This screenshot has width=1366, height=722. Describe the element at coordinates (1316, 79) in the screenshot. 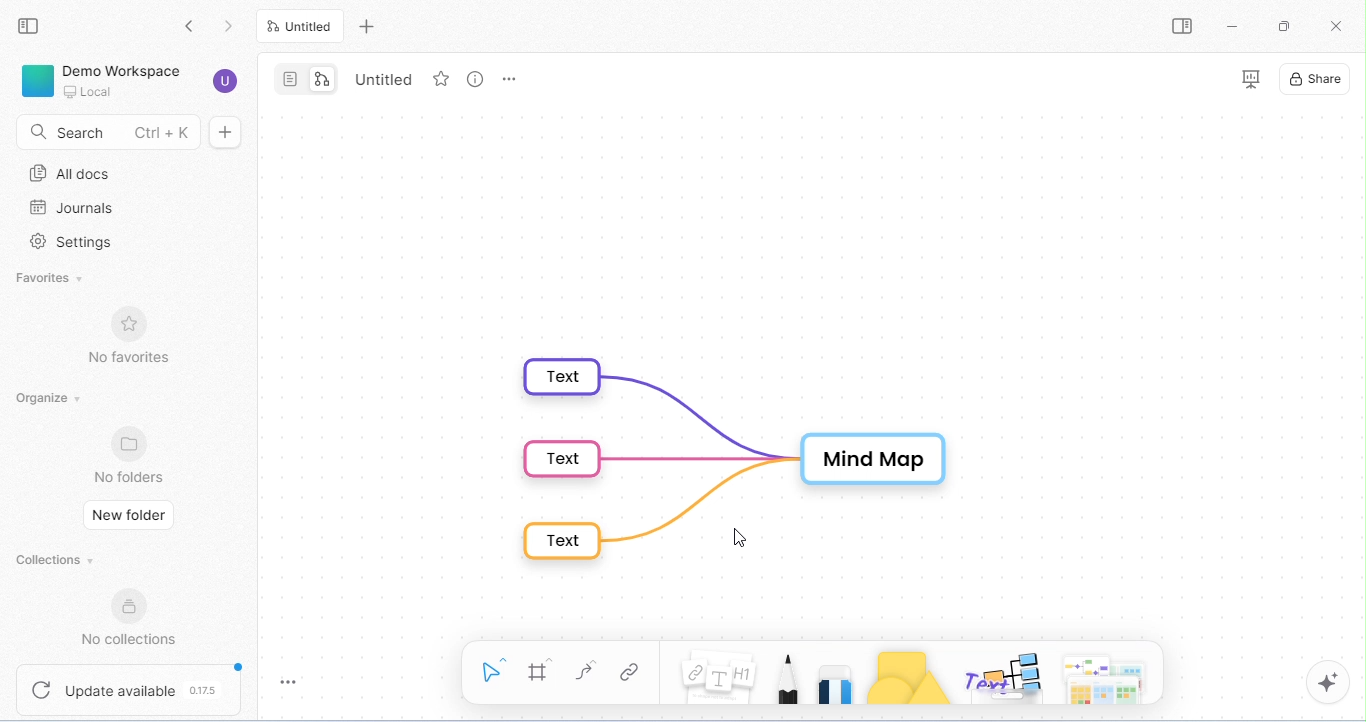

I see `share` at that location.